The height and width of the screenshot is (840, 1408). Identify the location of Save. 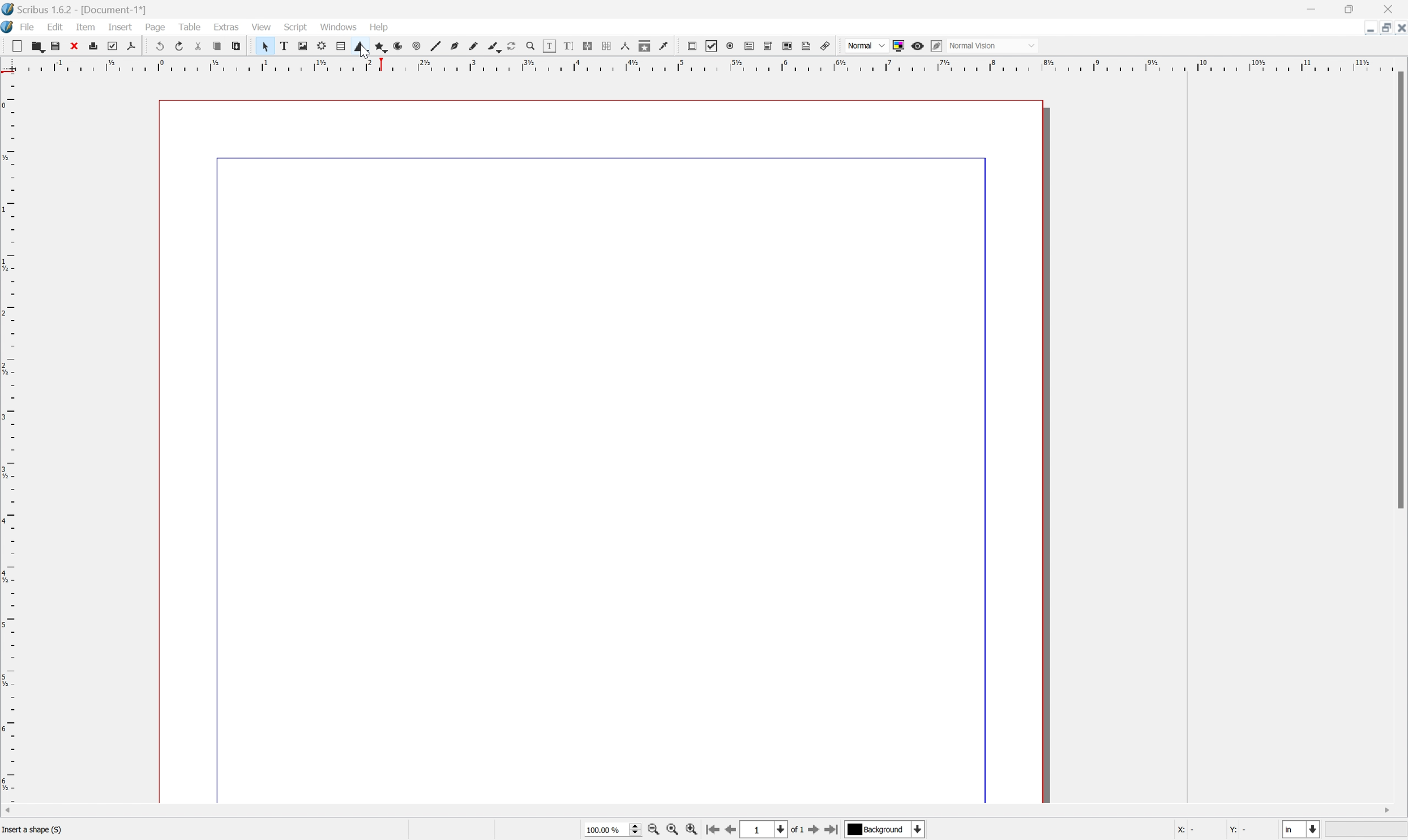
(55, 44).